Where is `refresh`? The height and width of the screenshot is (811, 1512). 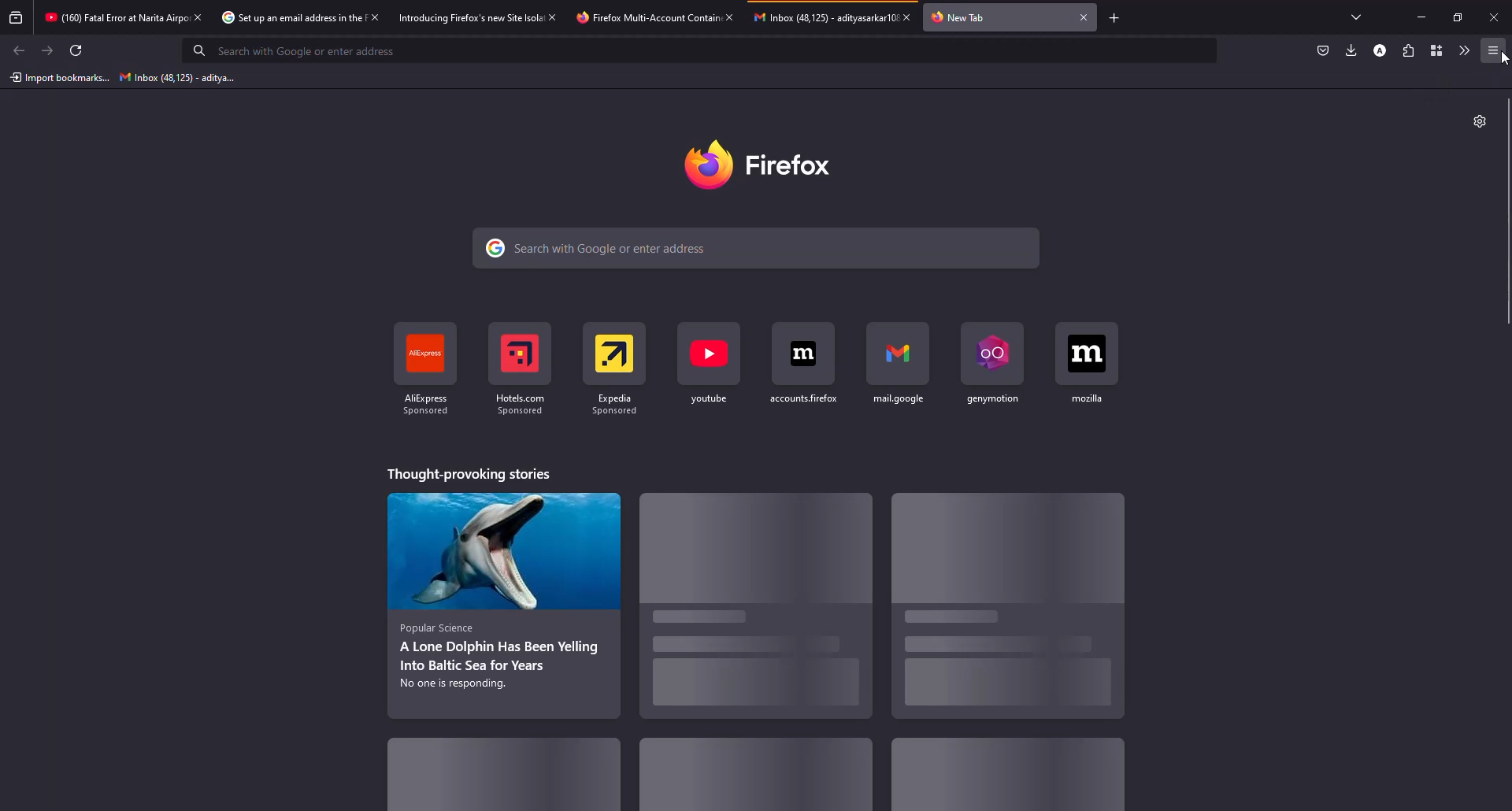
refresh is located at coordinates (77, 50).